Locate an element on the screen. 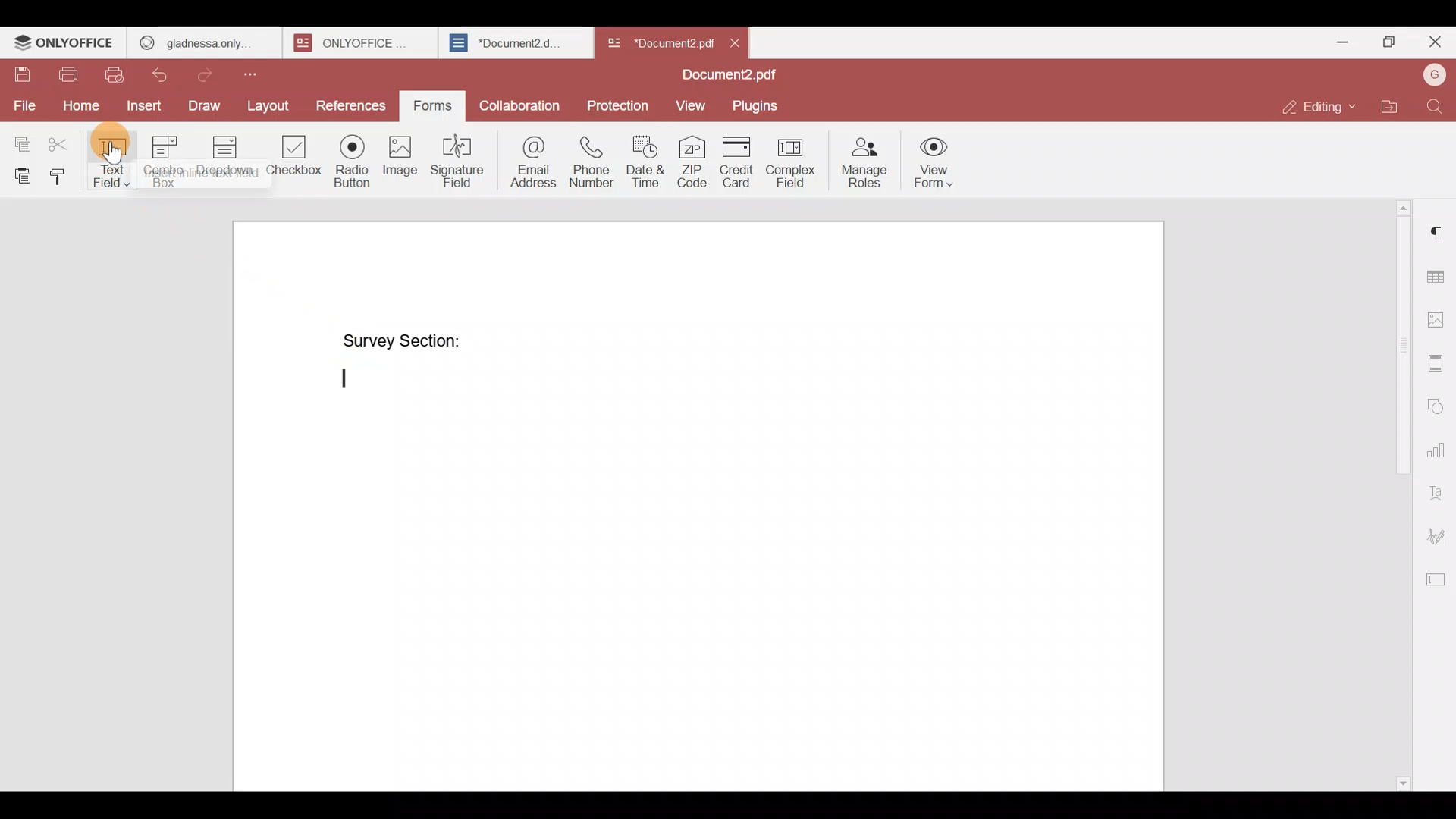 This screenshot has width=1456, height=819. Checkbox is located at coordinates (290, 159).